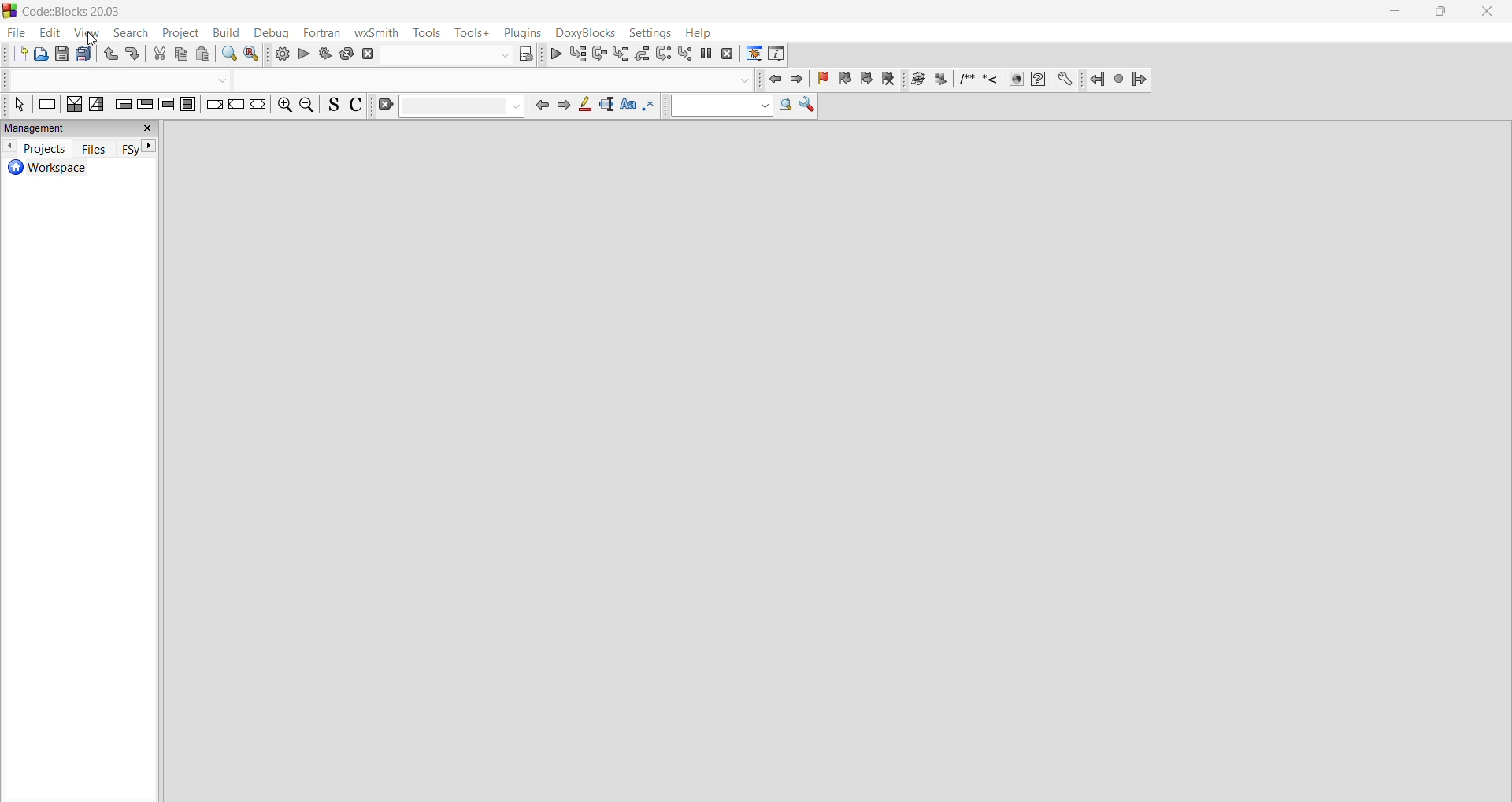 The image size is (1512, 802). Describe the element at coordinates (1038, 80) in the screenshot. I see `HTML help` at that location.